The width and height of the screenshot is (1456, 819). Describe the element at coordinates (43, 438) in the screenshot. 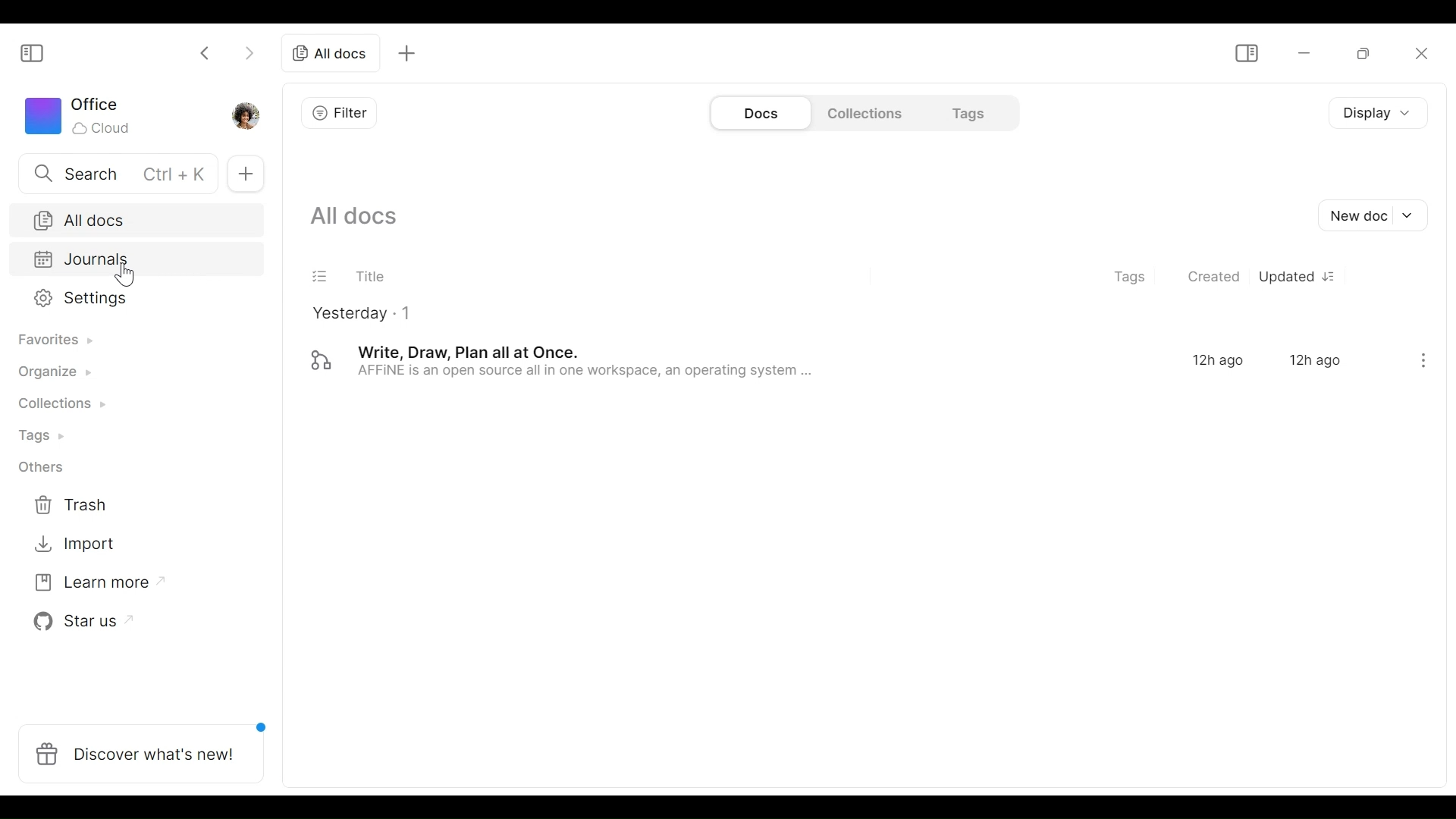

I see `Tags` at that location.